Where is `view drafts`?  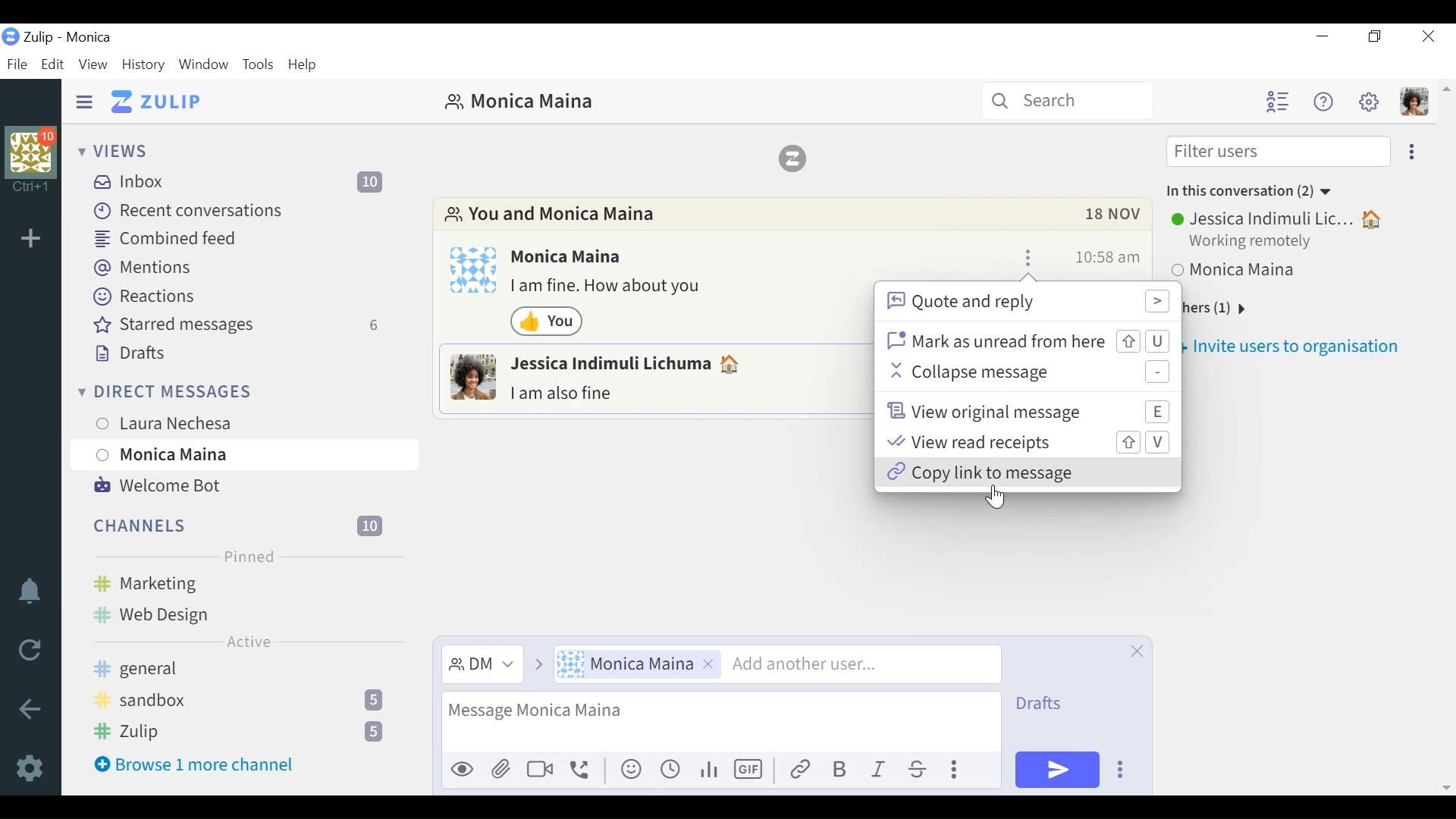
view drafts is located at coordinates (1053, 705).